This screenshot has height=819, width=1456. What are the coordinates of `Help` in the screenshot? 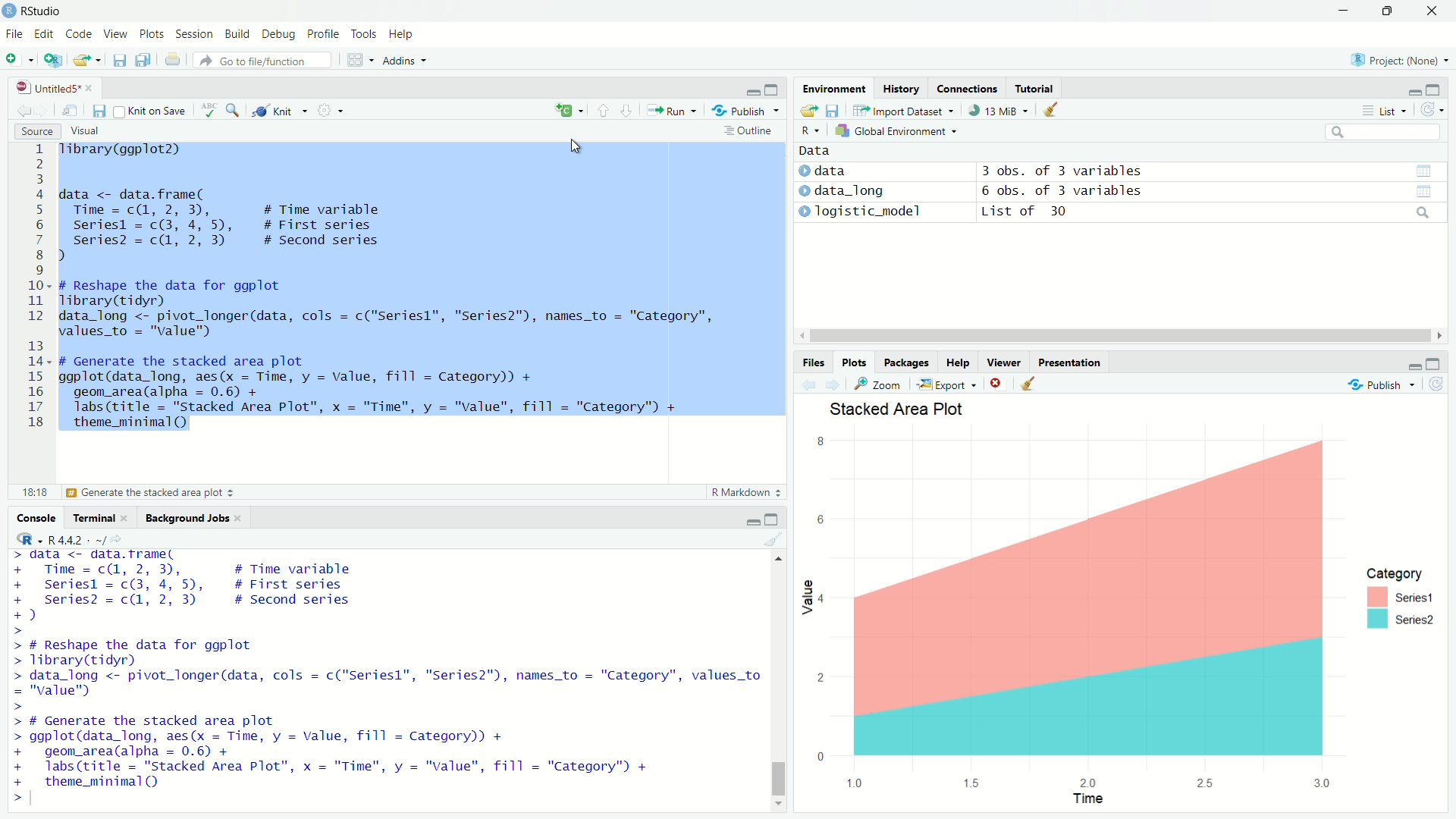 It's located at (402, 35).